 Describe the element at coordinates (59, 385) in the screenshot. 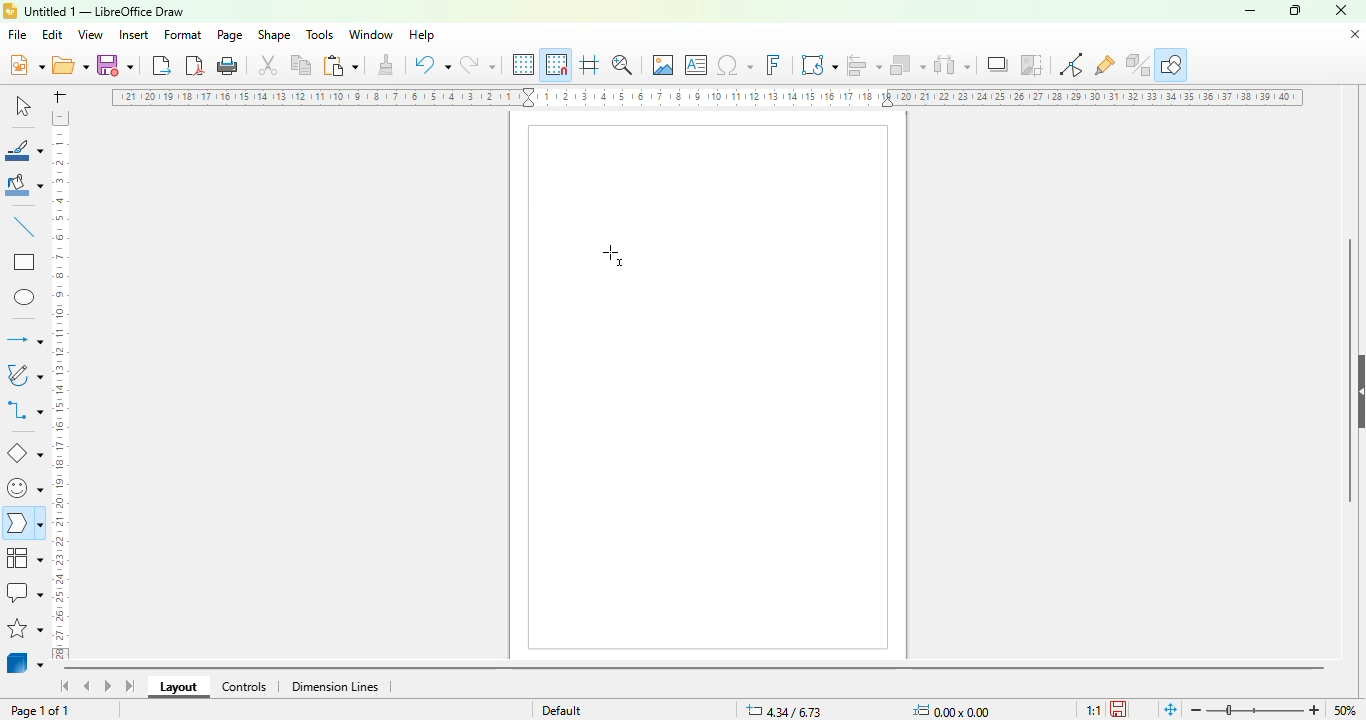

I see `ruler` at that location.